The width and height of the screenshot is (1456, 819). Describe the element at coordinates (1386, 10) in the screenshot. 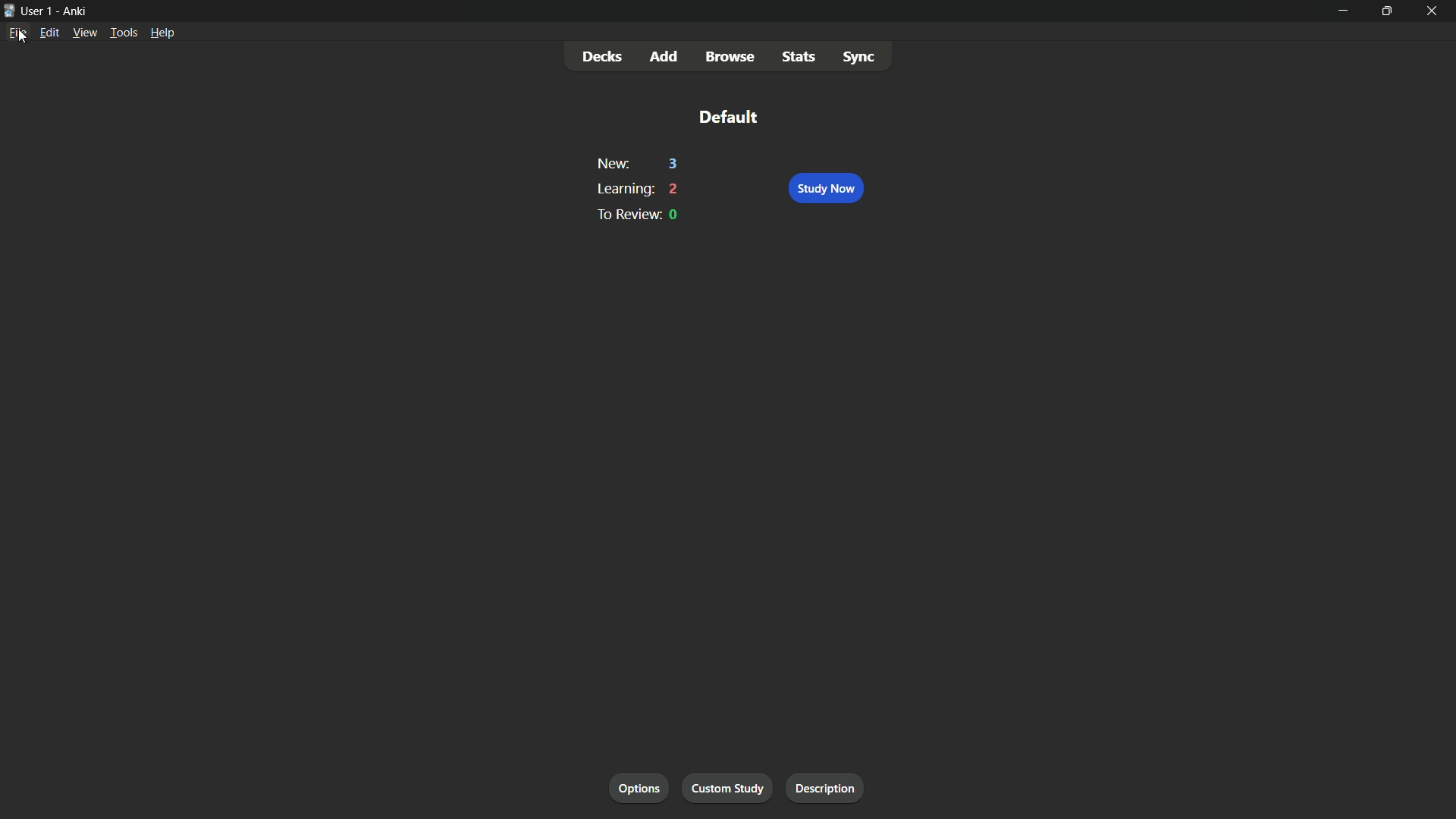

I see `maximize` at that location.